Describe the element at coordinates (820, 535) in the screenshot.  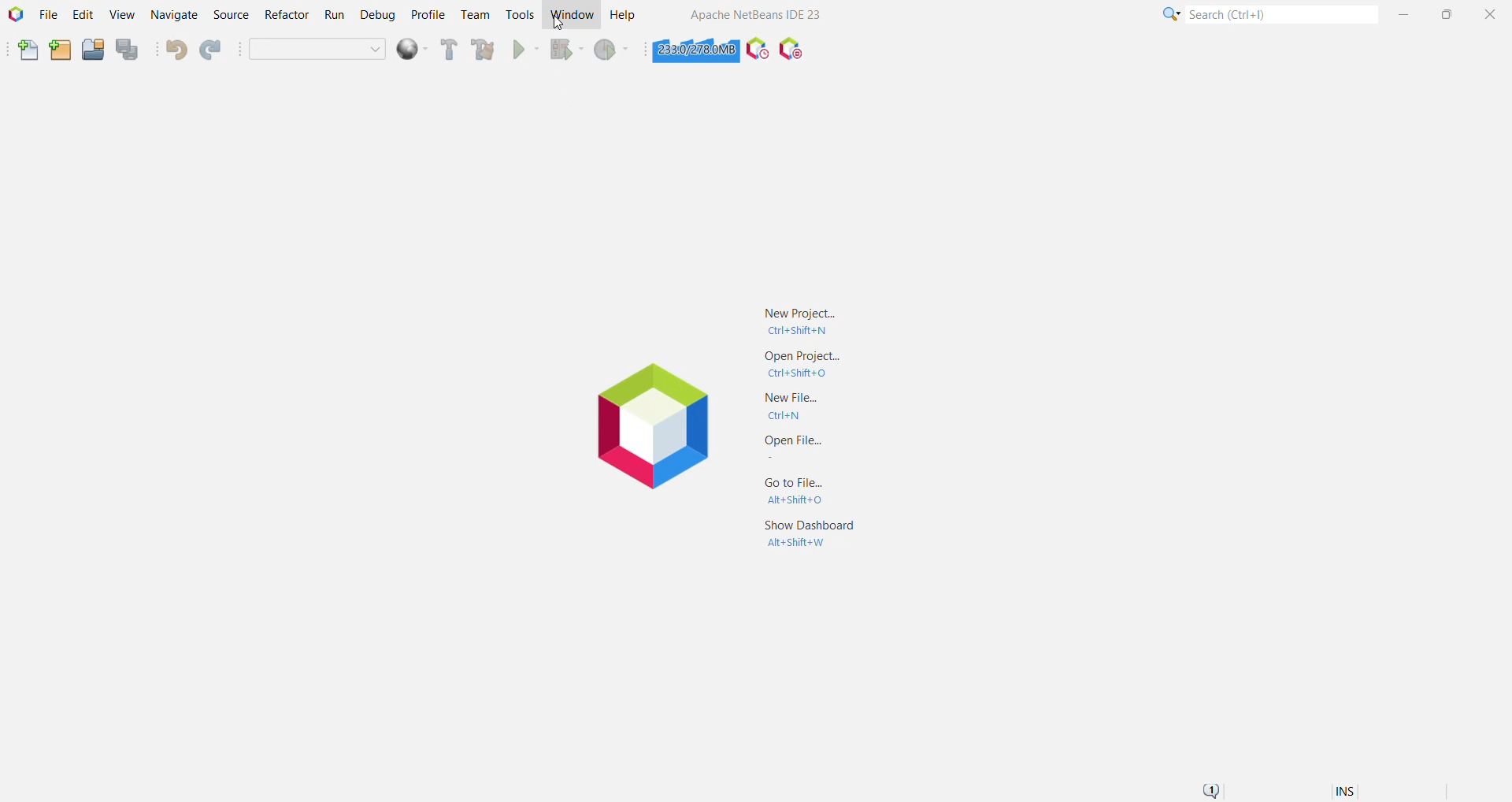
I see `Show Dashboard` at that location.